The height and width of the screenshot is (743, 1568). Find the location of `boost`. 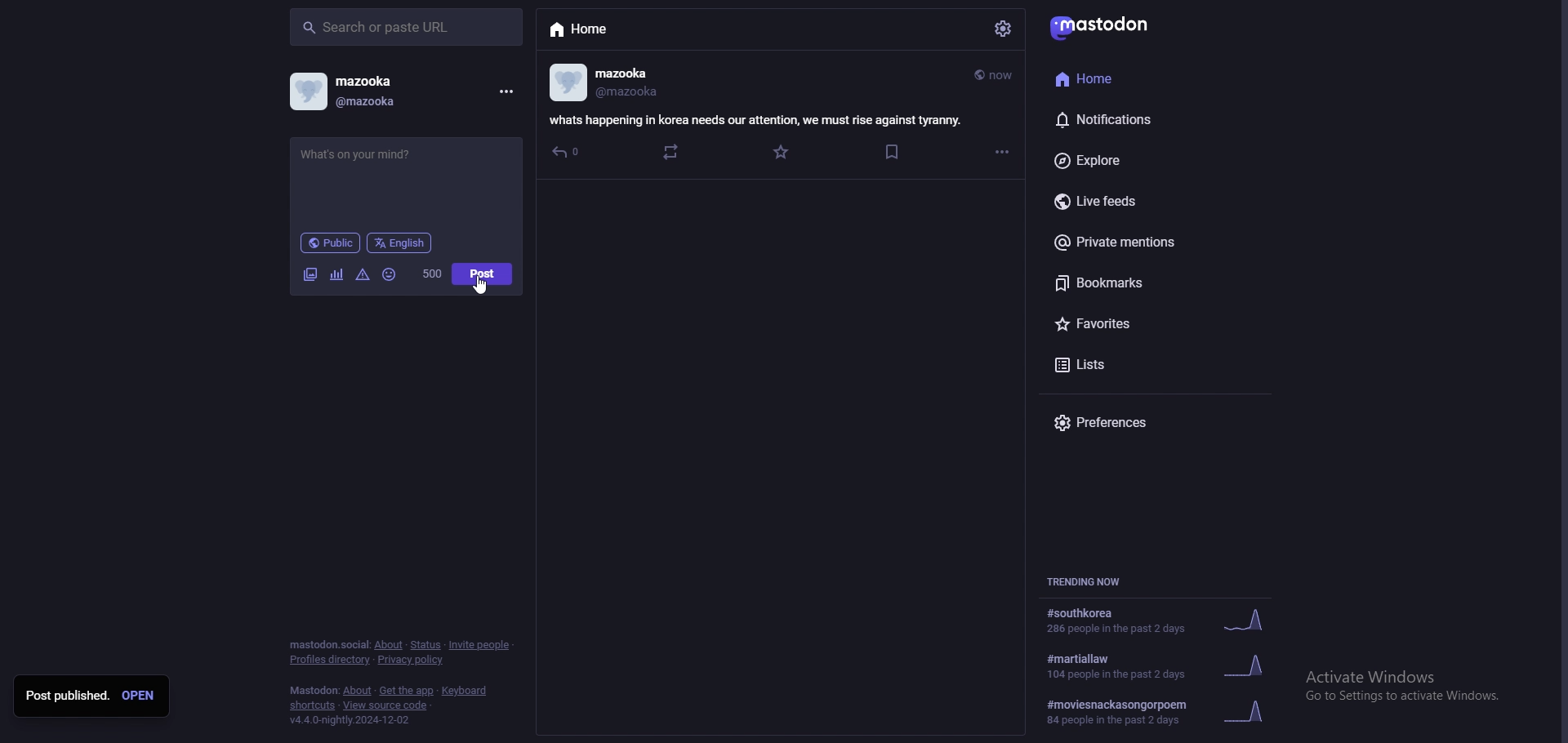

boost is located at coordinates (671, 153).